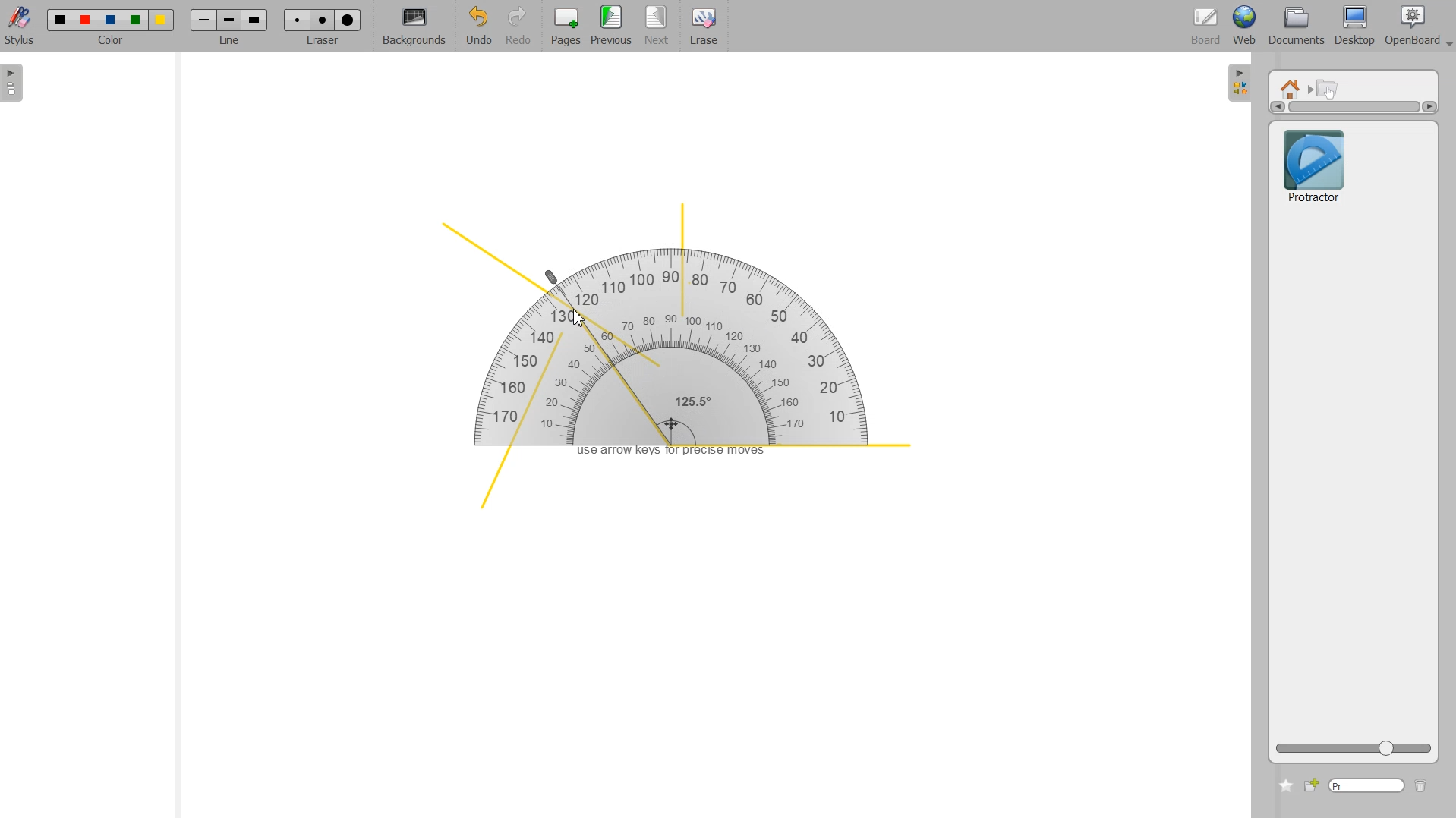  What do you see at coordinates (1354, 748) in the screenshot?
I see `ZOOM Icon ` at bounding box center [1354, 748].